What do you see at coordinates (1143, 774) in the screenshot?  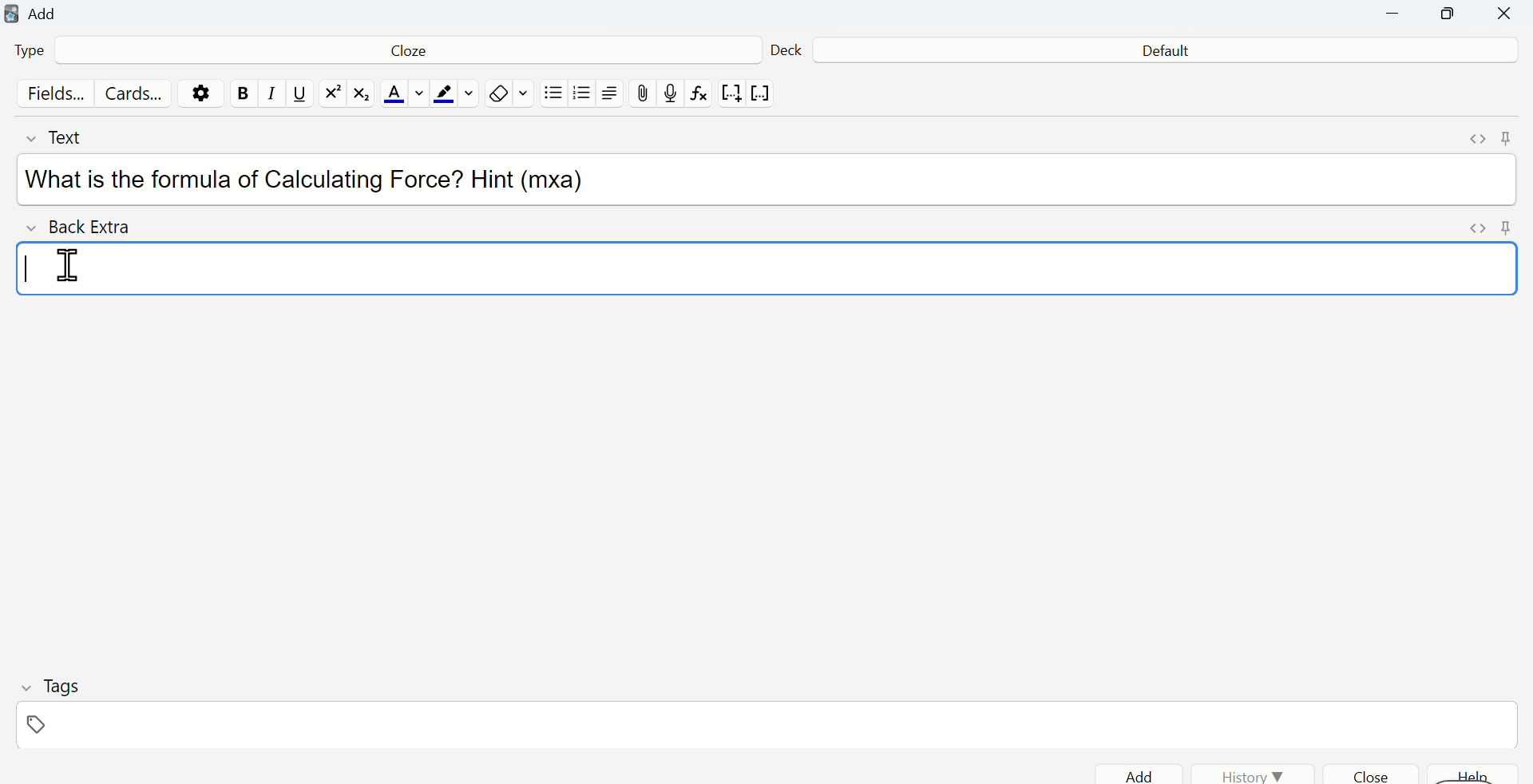 I see `Add` at bounding box center [1143, 774].